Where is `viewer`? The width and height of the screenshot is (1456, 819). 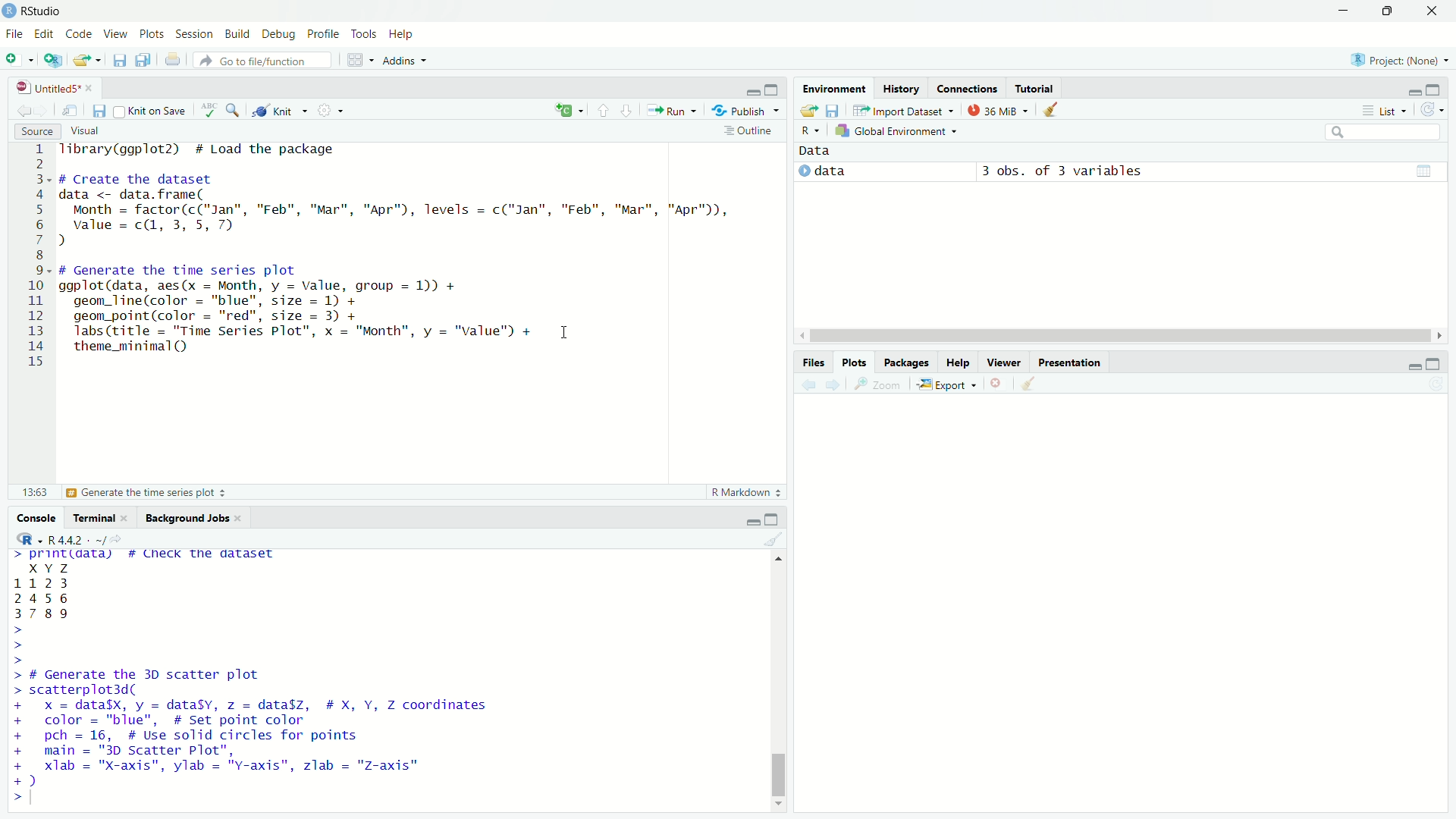 viewer is located at coordinates (1004, 362).